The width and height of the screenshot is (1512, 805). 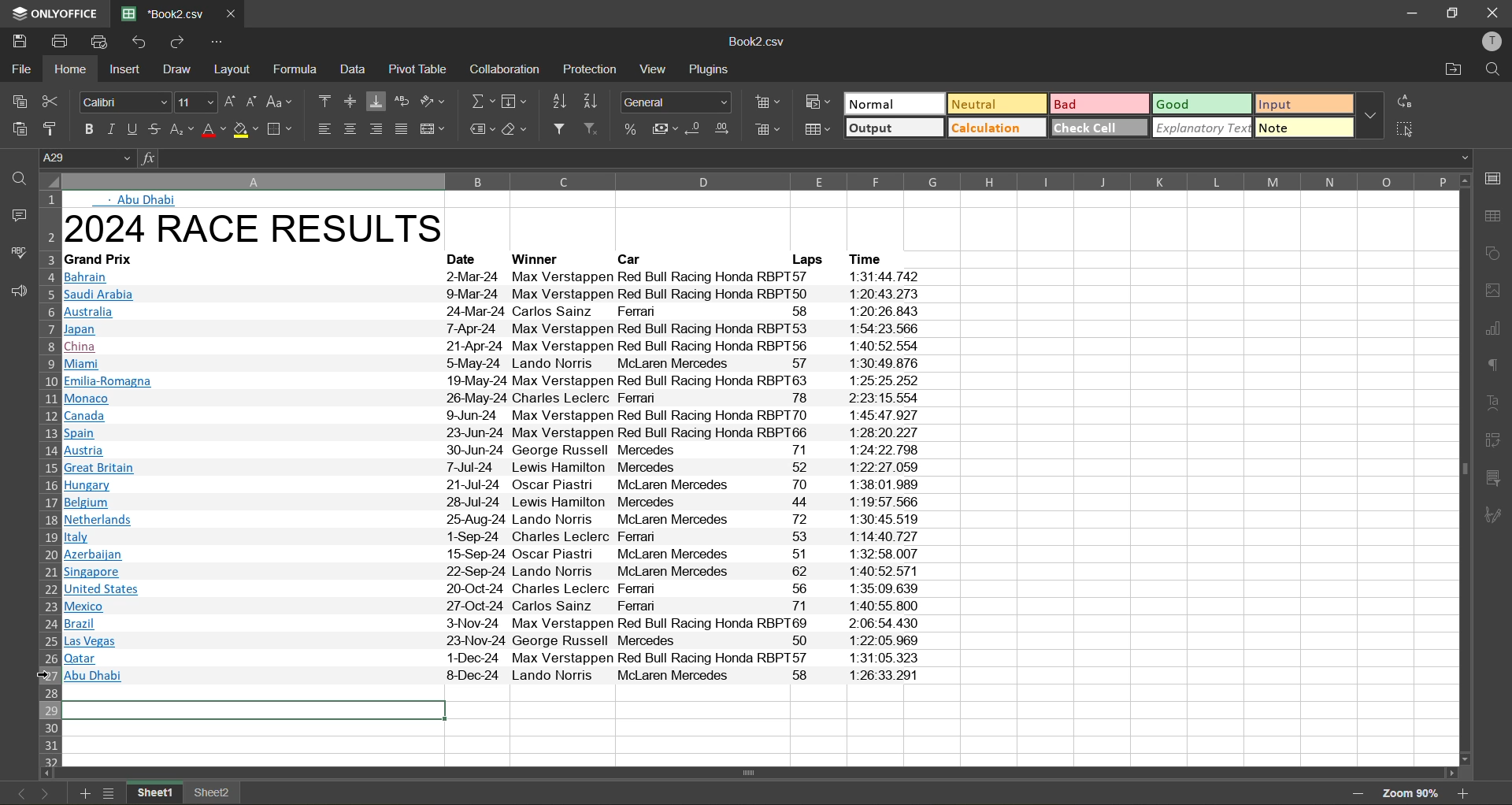 I want to click on cell address, so click(x=88, y=156).